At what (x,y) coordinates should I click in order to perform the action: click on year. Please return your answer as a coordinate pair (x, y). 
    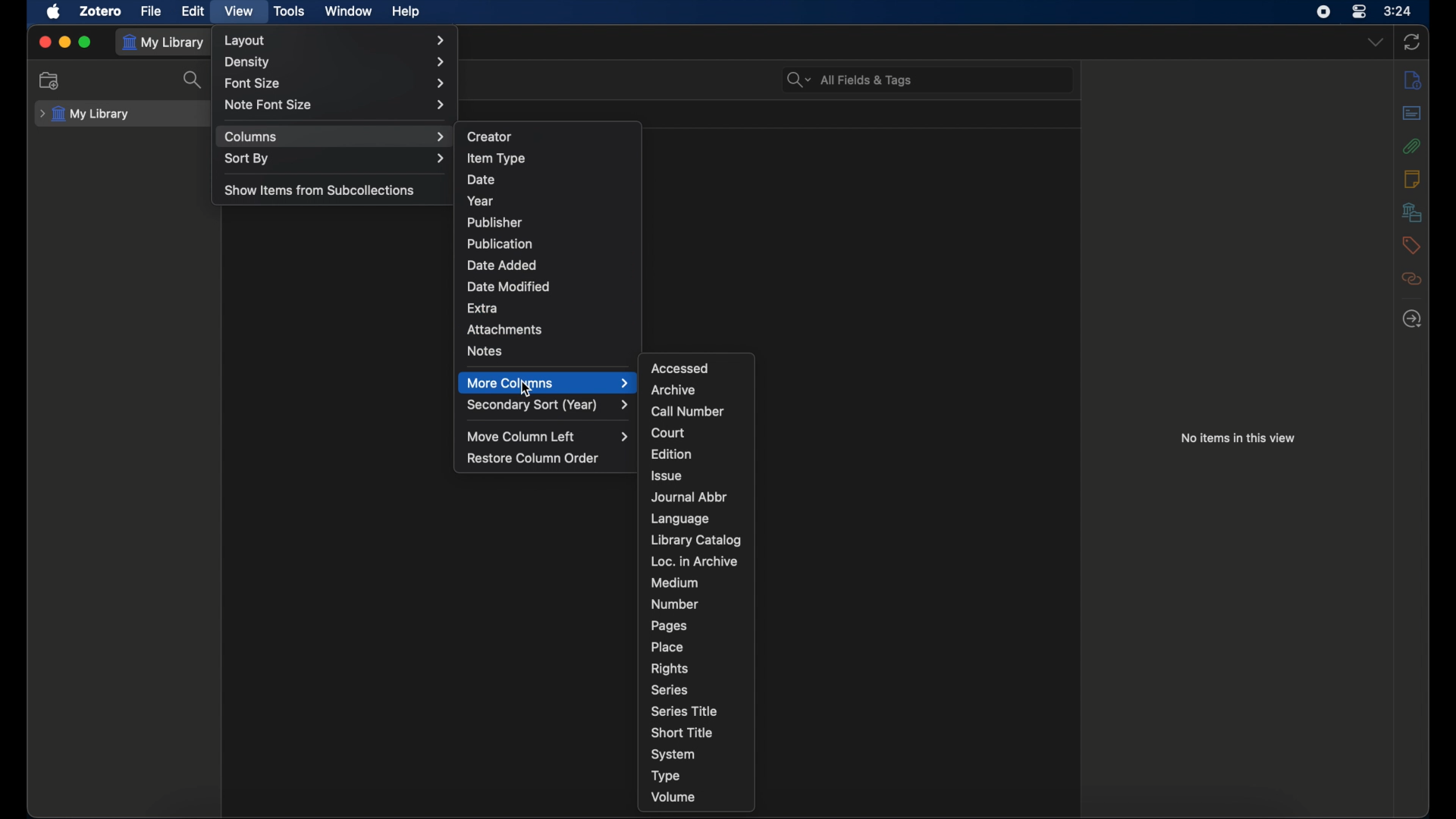
    Looking at the image, I should click on (481, 201).